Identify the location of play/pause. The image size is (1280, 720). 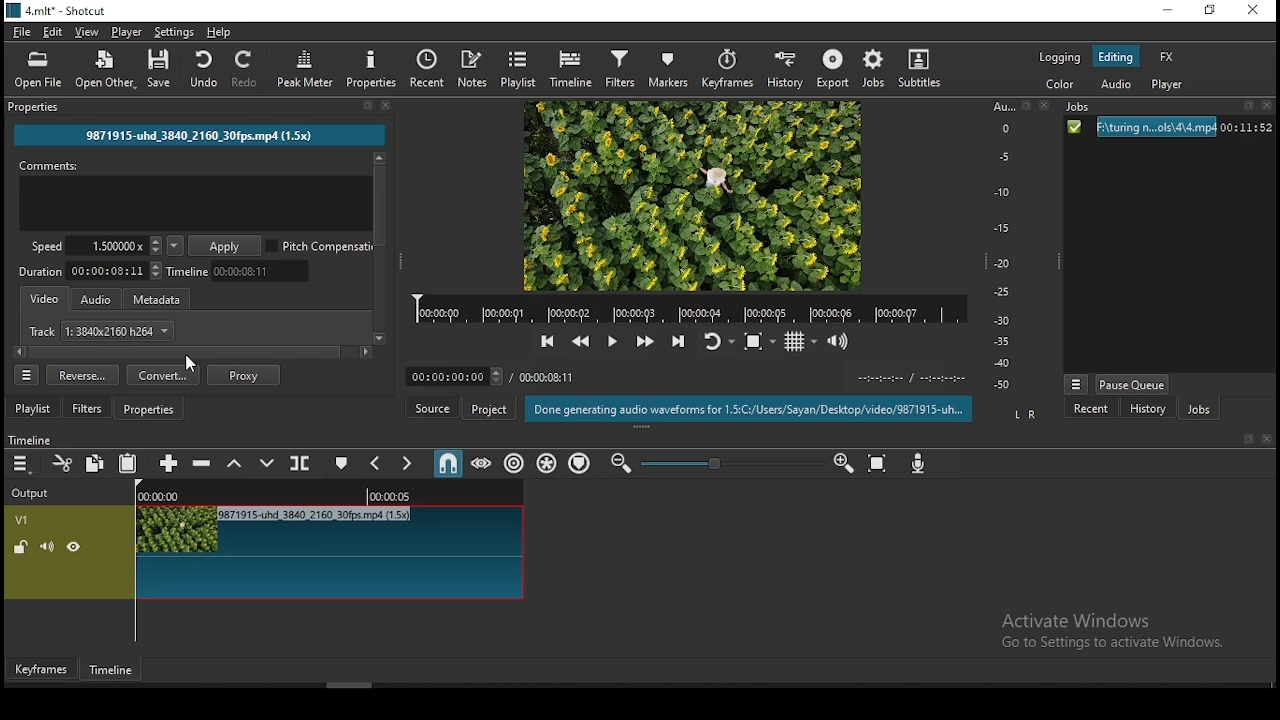
(611, 342).